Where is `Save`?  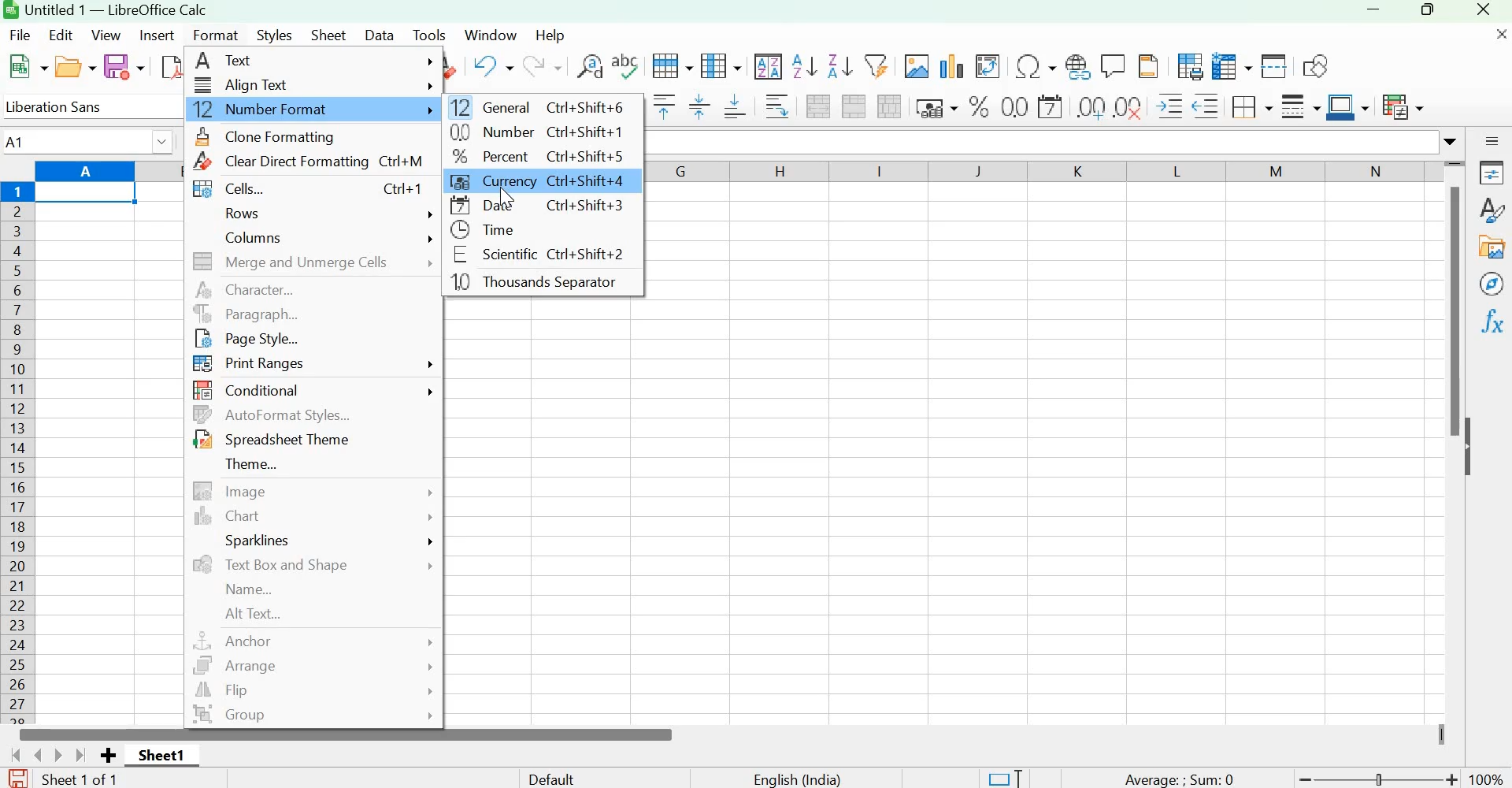
Save is located at coordinates (124, 67).